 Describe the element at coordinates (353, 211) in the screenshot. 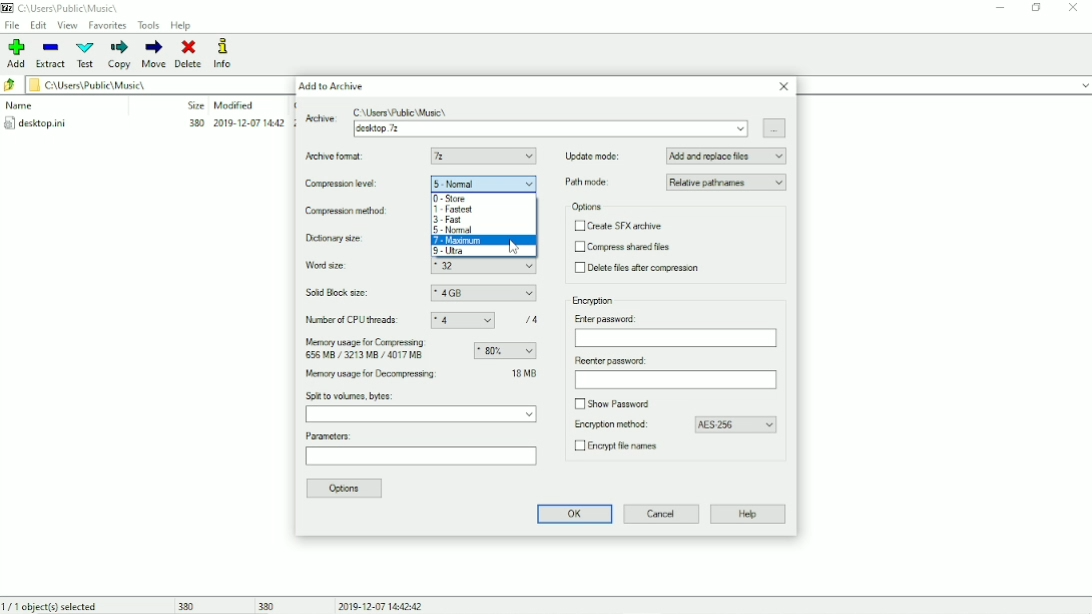

I see `Compression method` at that location.